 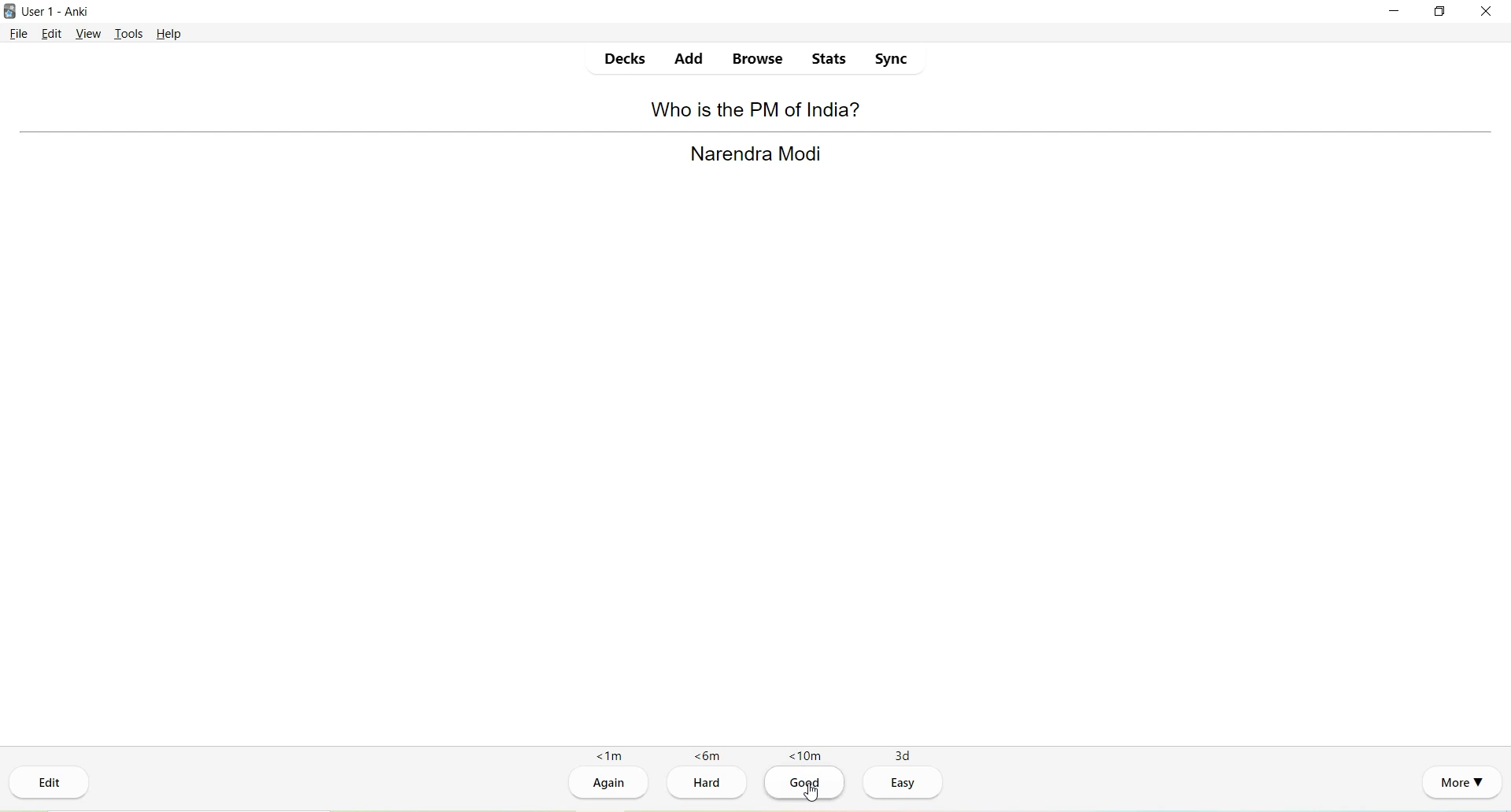 I want to click on More, so click(x=1461, y=784).